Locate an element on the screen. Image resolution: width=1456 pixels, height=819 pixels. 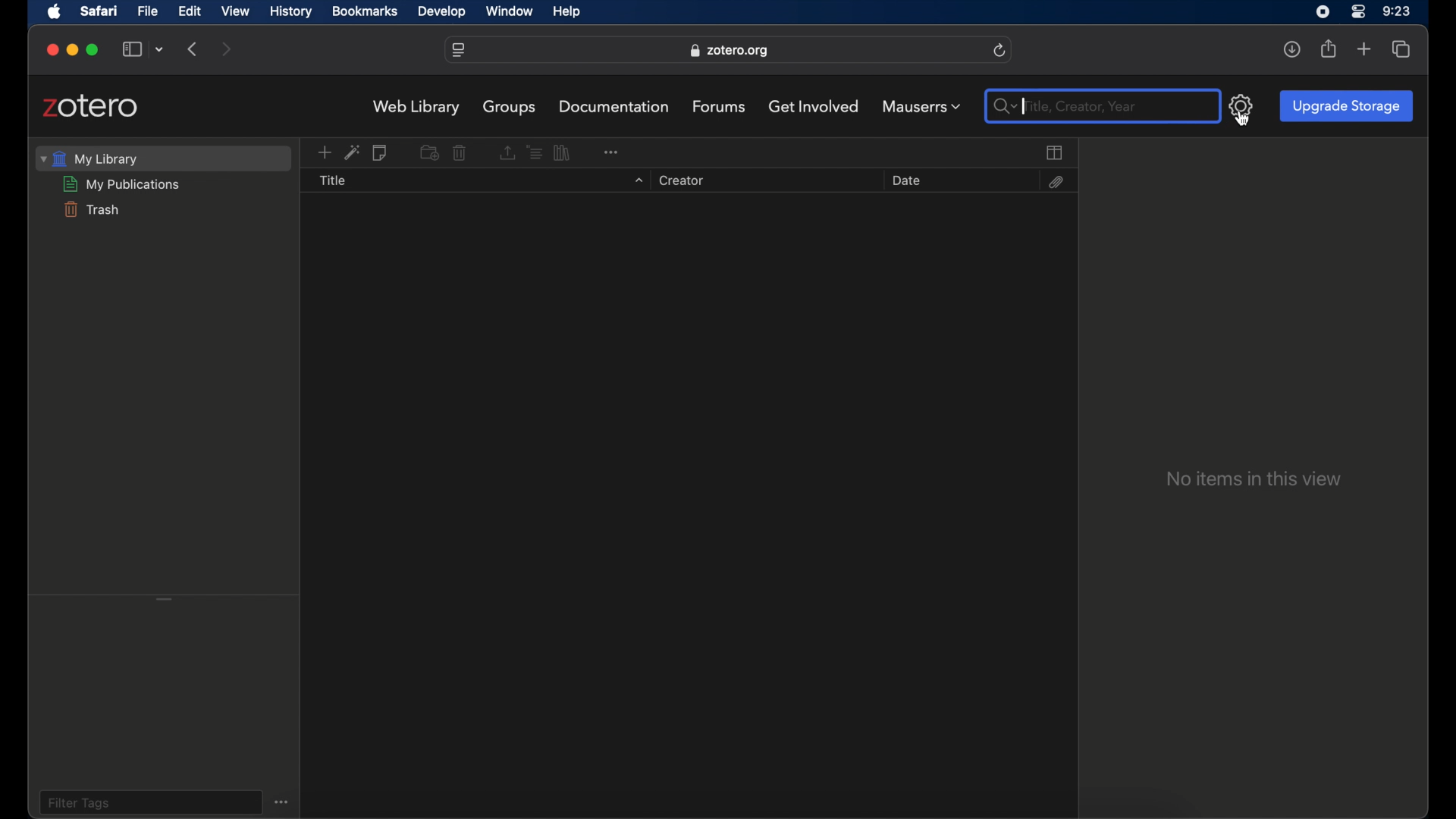
maximize is located at coordinates (94, 50).